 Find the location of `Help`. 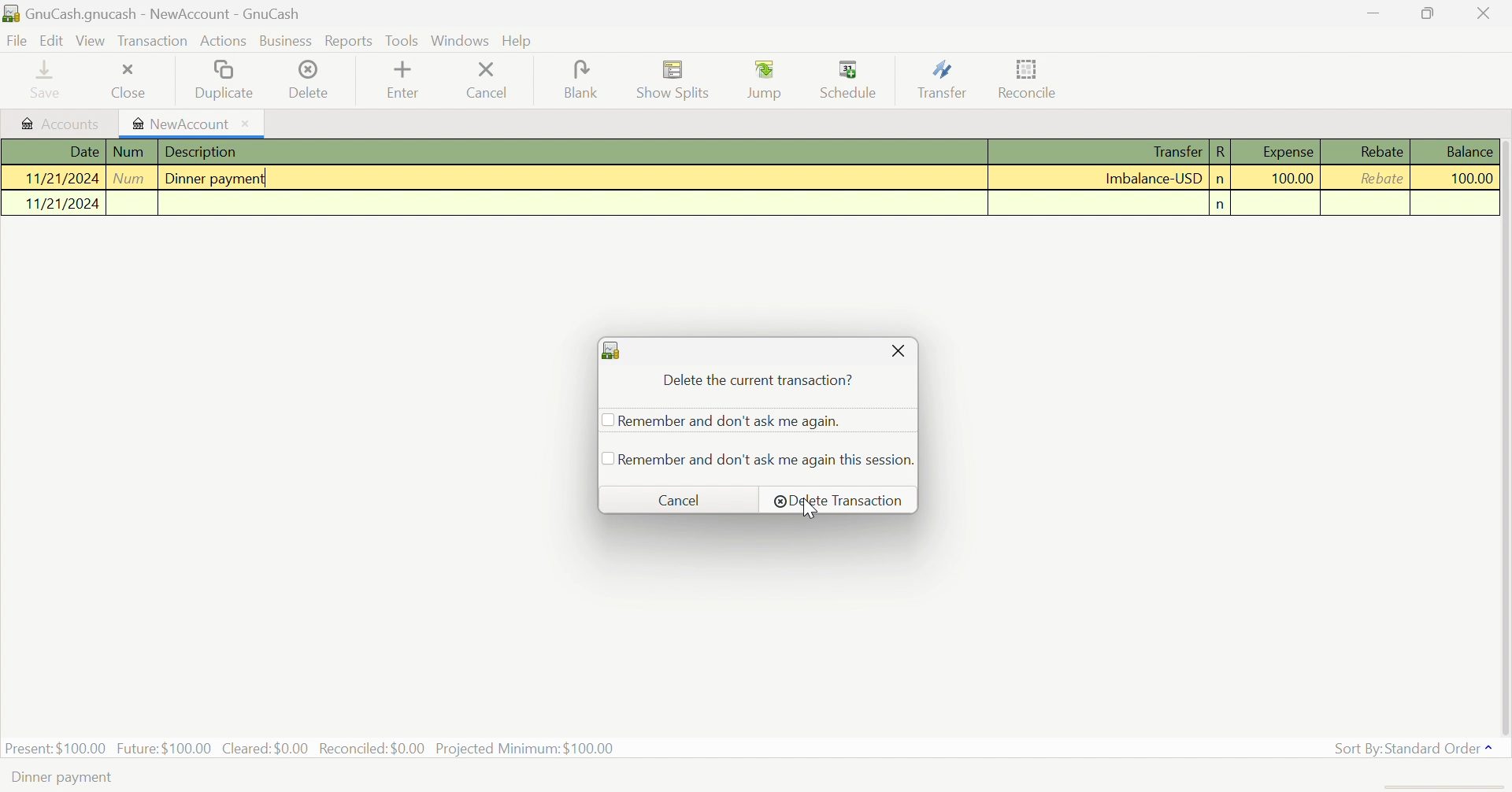

Help is located at coordinates (517, 40).